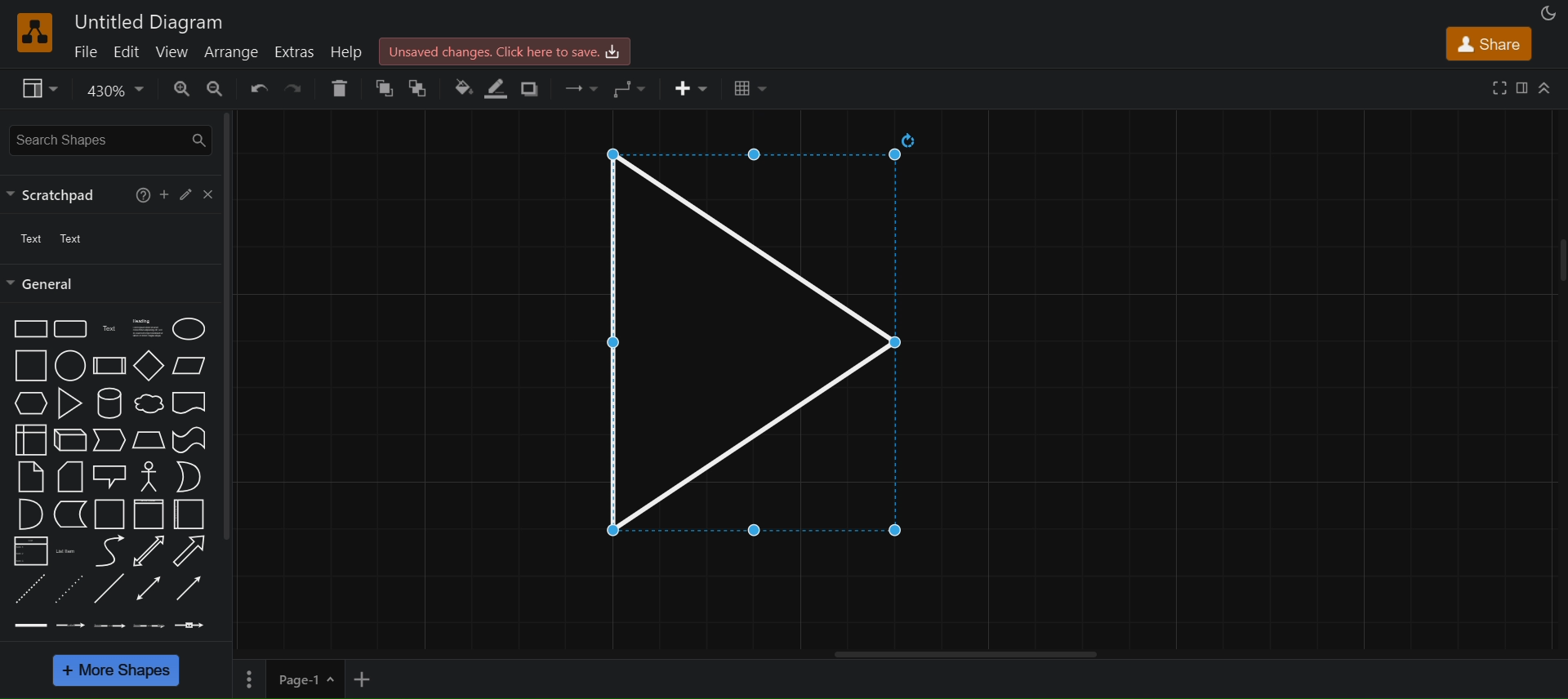 This screenshot has width=1568, height=699. Describe the element at coordinates (506, 50) in the screenshot. I see `Unsaved changes. click here to save.` at that location.